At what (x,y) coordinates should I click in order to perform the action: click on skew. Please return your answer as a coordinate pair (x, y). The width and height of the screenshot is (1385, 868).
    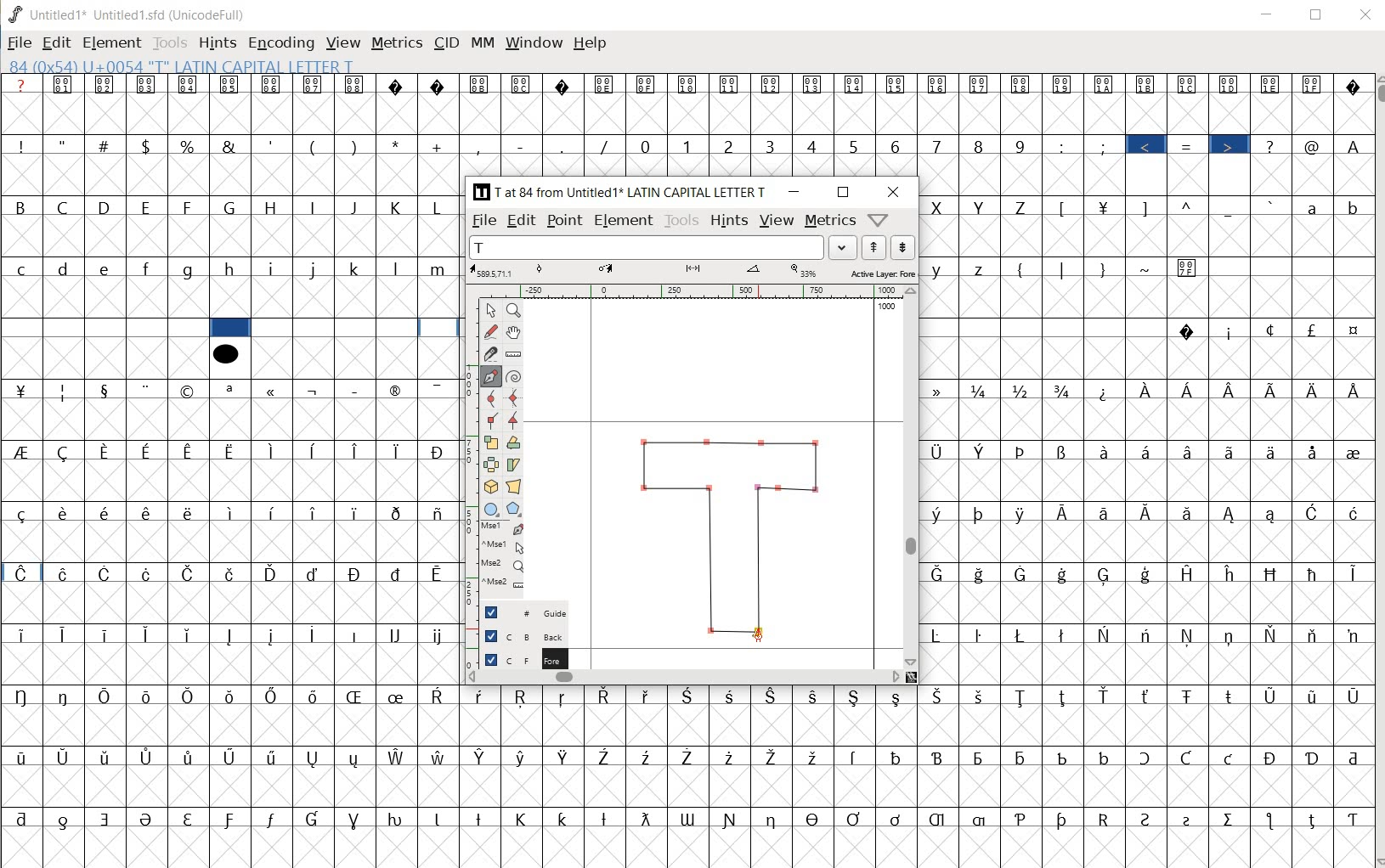
    Looking at the image, I should click on (517, 465).